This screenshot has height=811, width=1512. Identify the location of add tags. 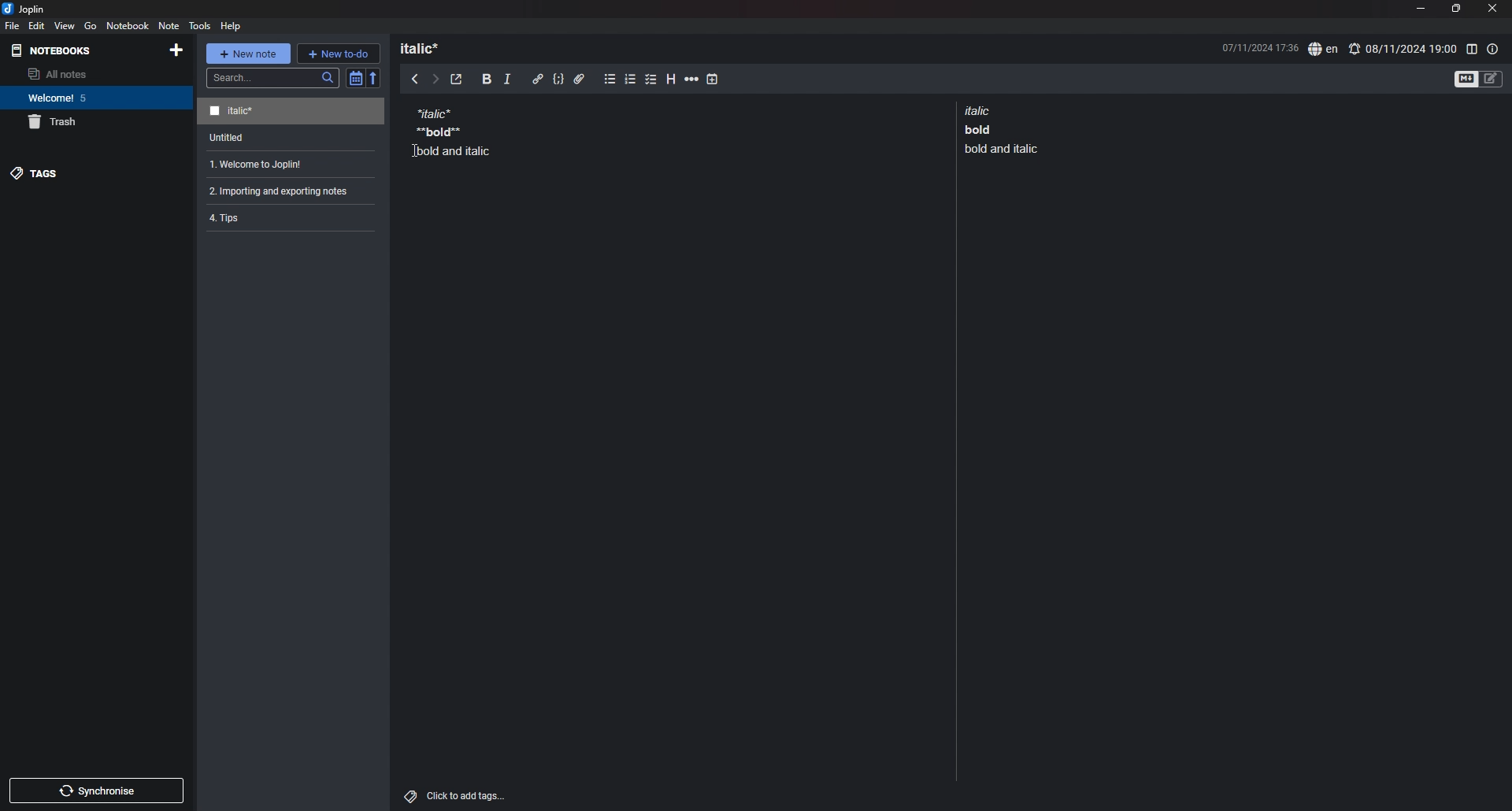
(457, 796).